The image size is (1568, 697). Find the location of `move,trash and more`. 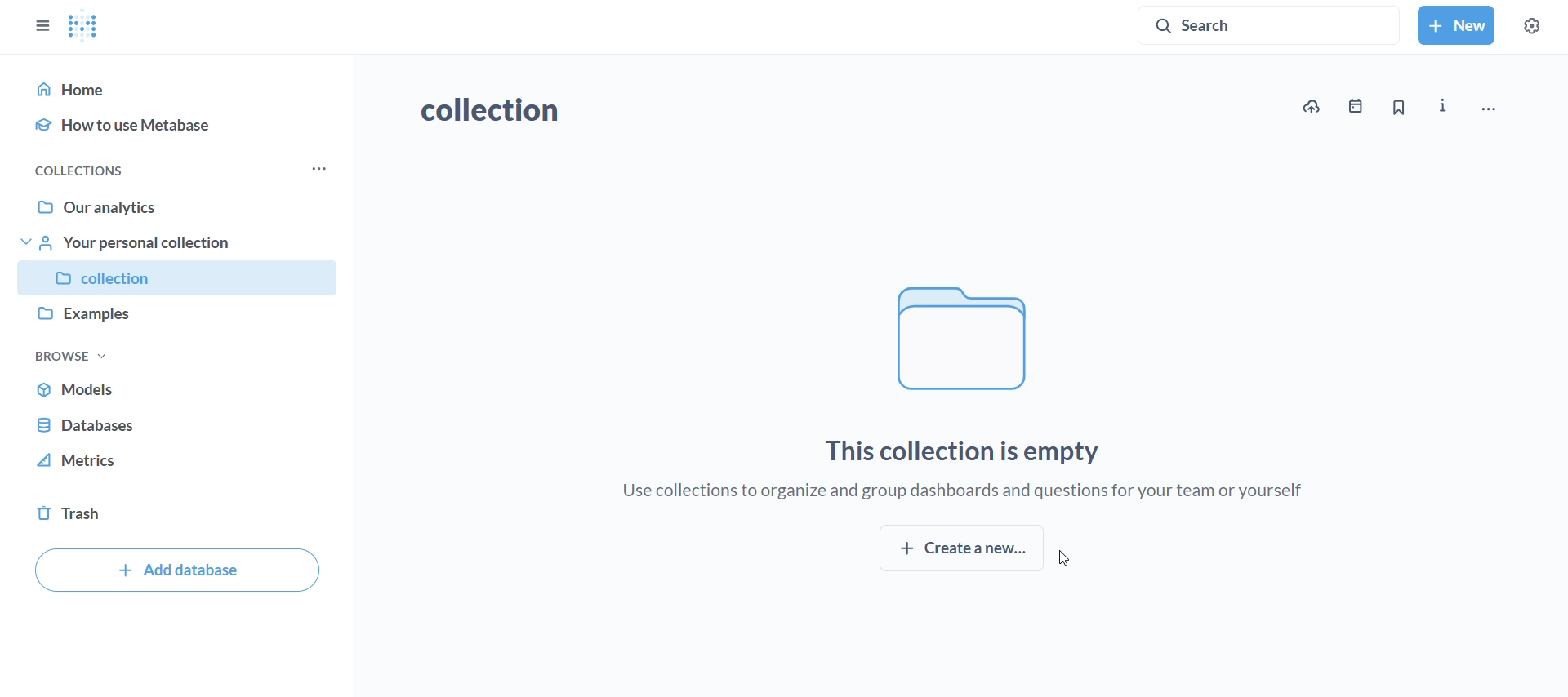

move,trash and more is located at coordinates (1504, 104).